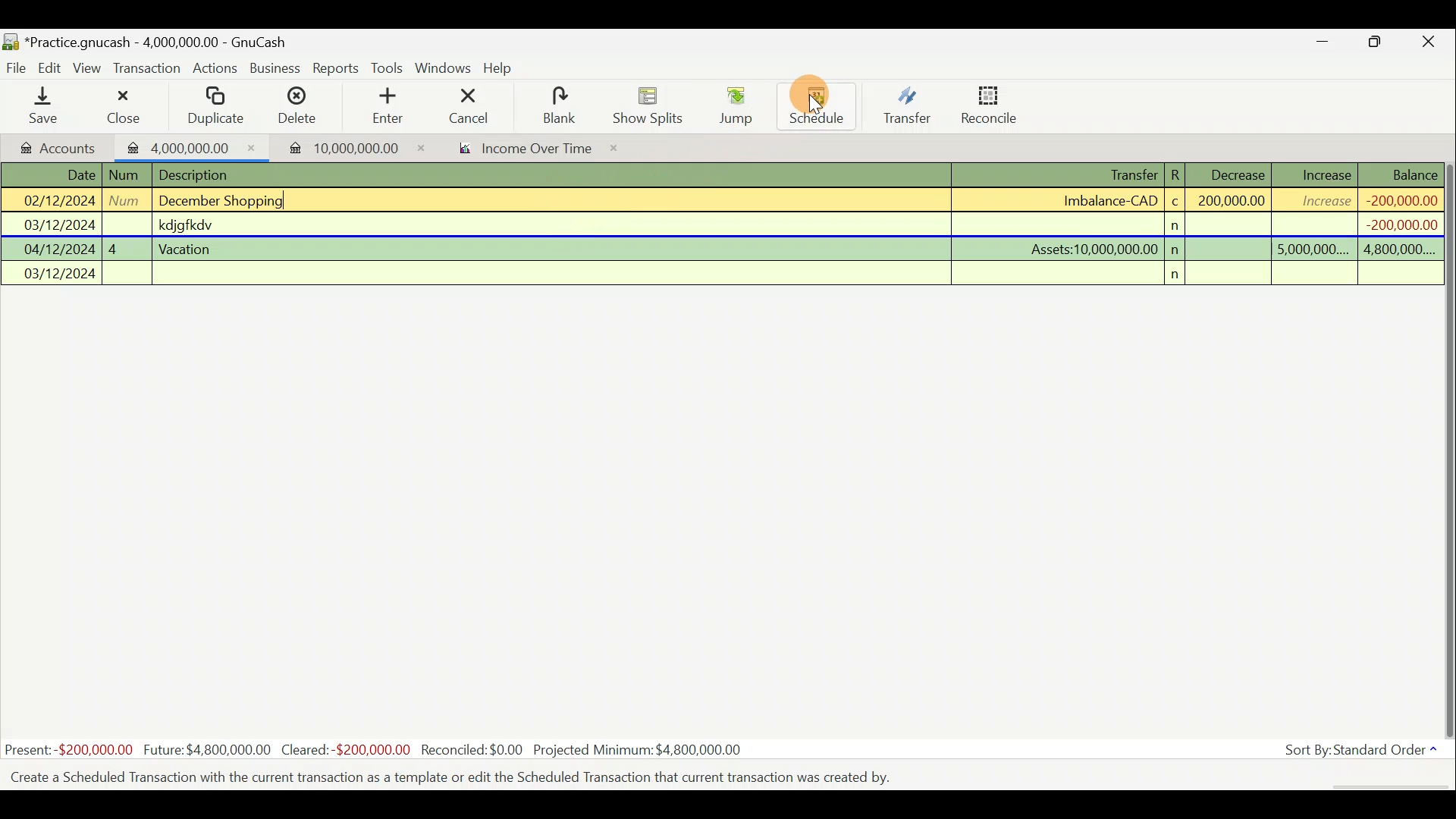 This screenshot has width=1456, height=819. I want to click on Close, so click(122, 106).